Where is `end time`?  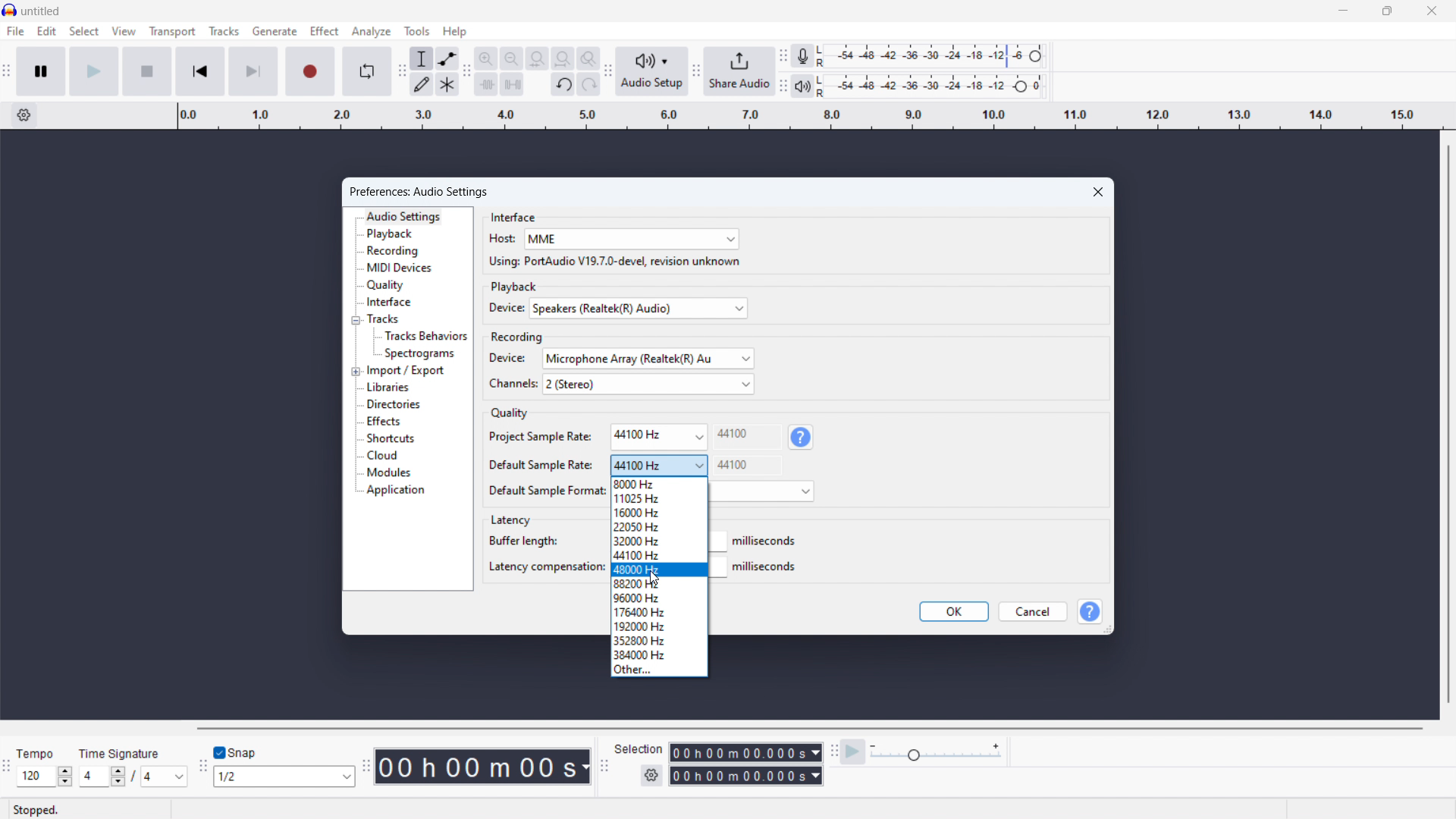 end time is located at coordinates (745, 777).